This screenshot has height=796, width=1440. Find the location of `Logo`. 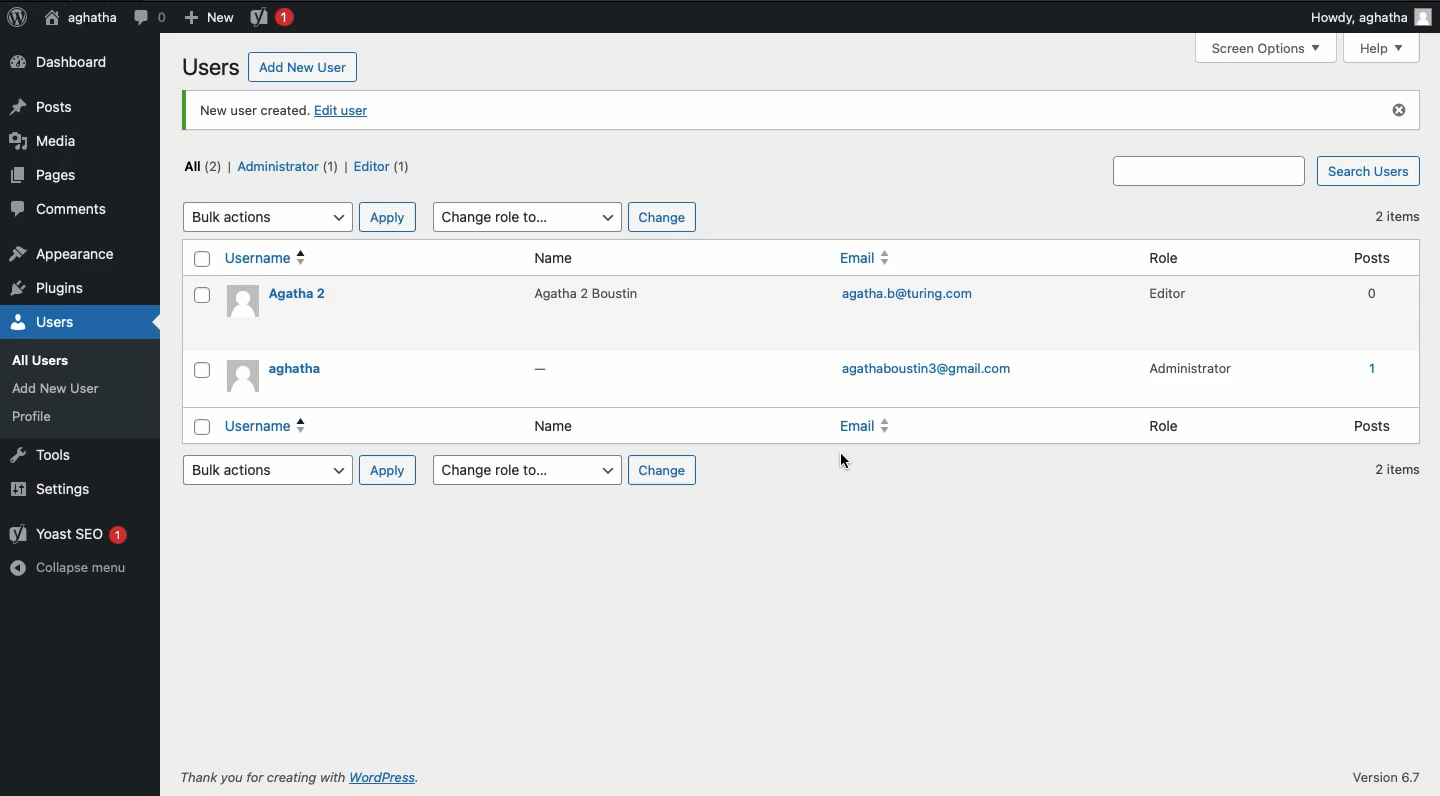

Logo is located at coordinates (17, 18).